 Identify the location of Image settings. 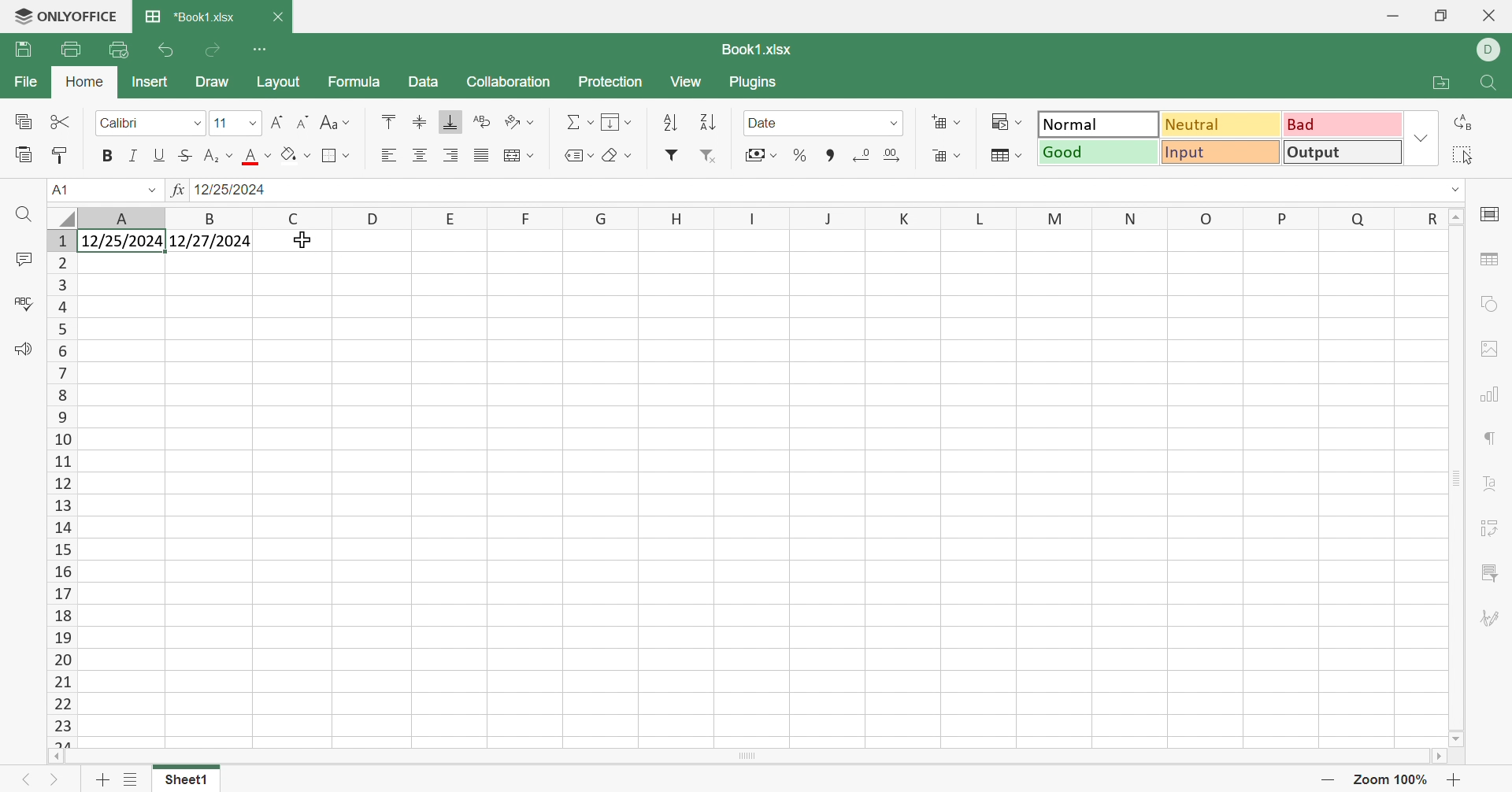
(1491, 350).